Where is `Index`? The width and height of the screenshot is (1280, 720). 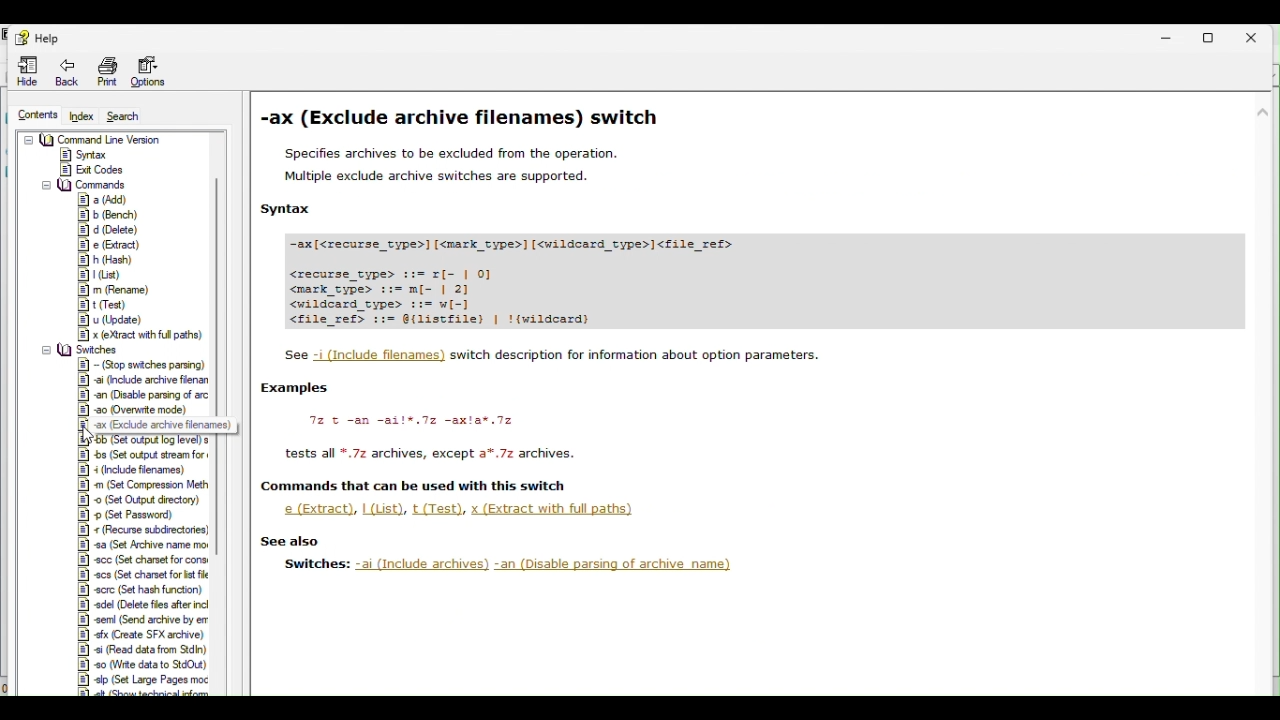 Index is located at coordinates (80, 117).